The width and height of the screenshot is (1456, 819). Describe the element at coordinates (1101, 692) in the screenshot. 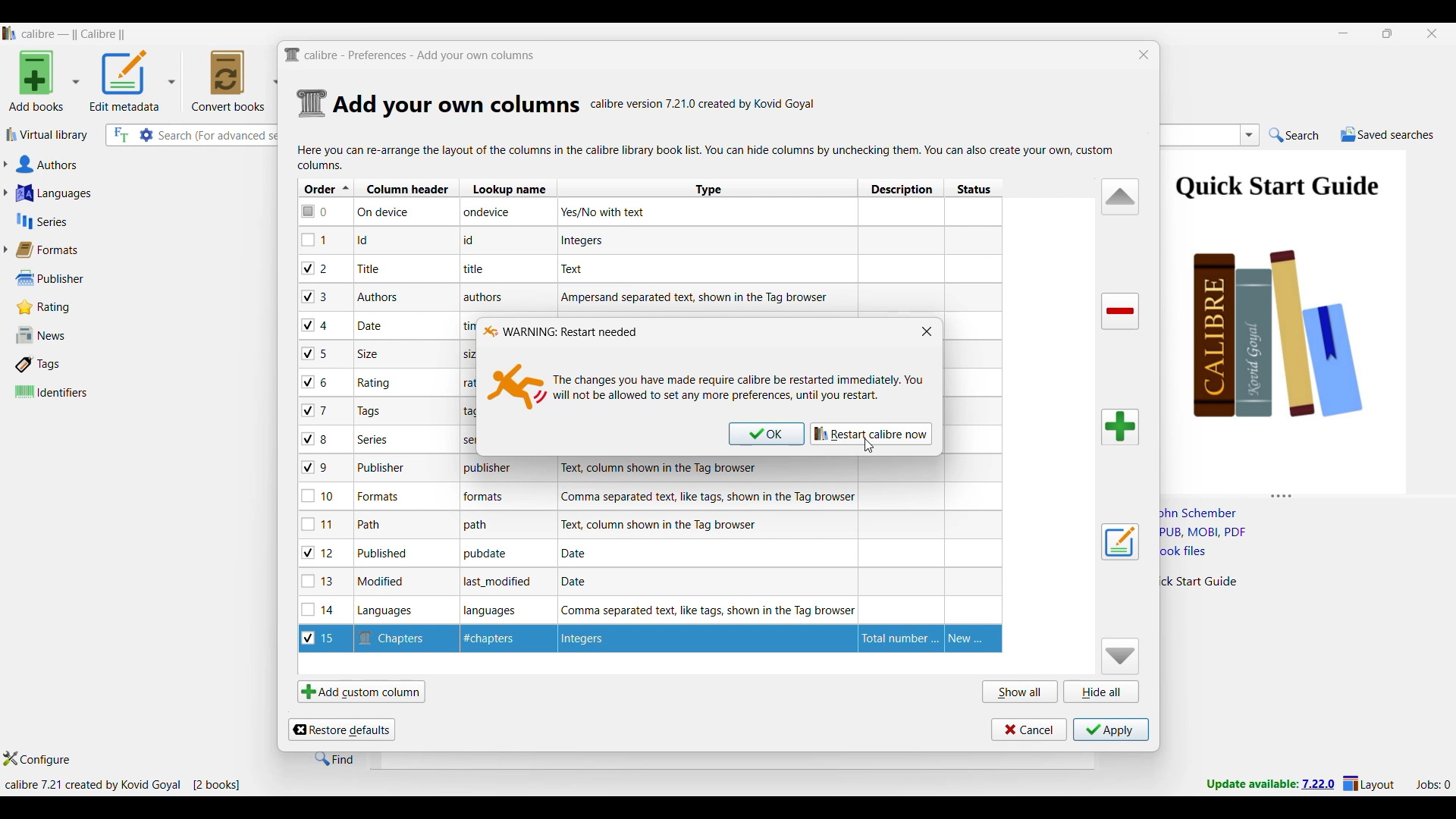

I see `Hide all` at that location.